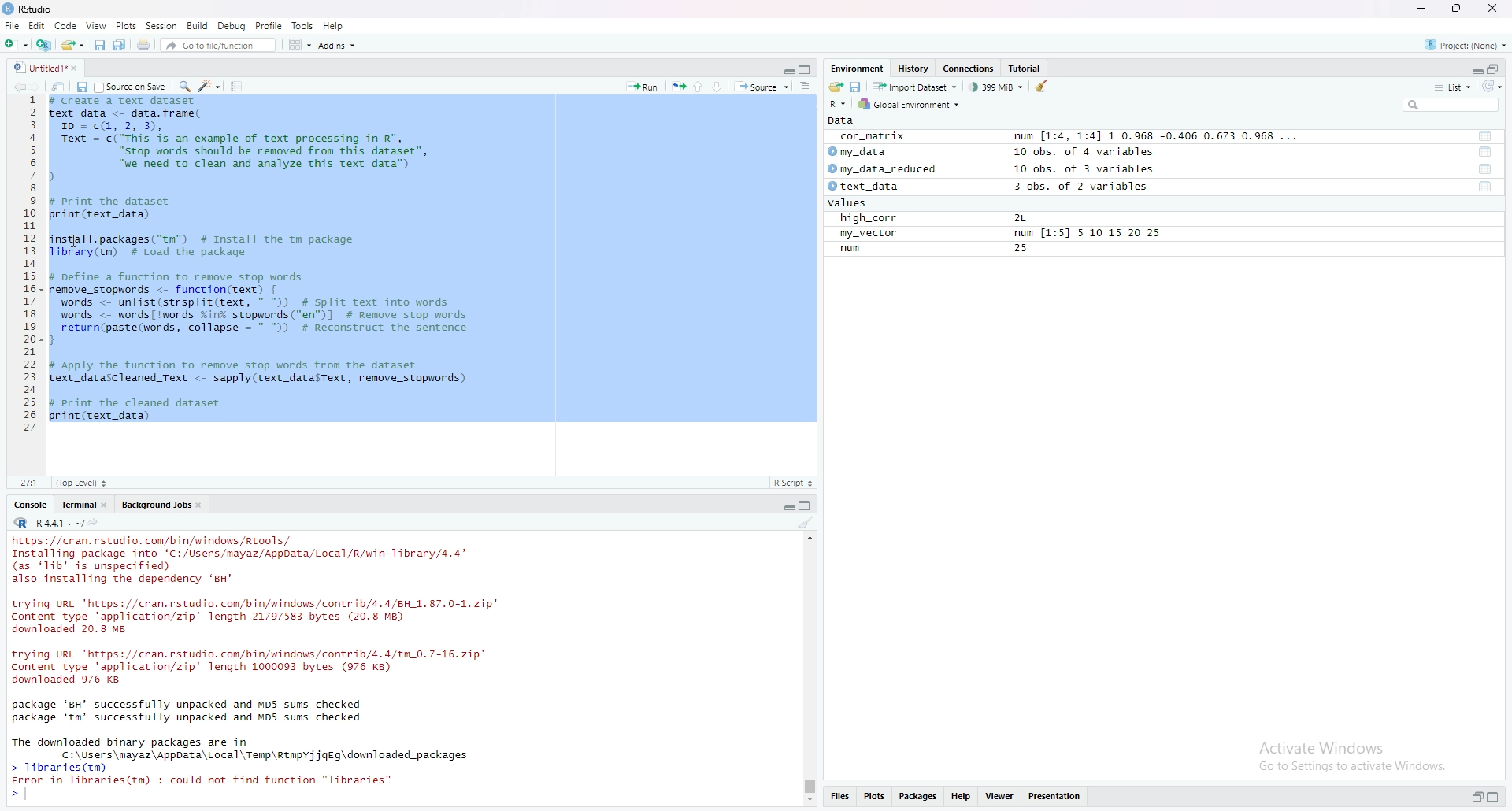 This screenshot has width=1512, height=811. I want to click on code tools, so click(210, 87).